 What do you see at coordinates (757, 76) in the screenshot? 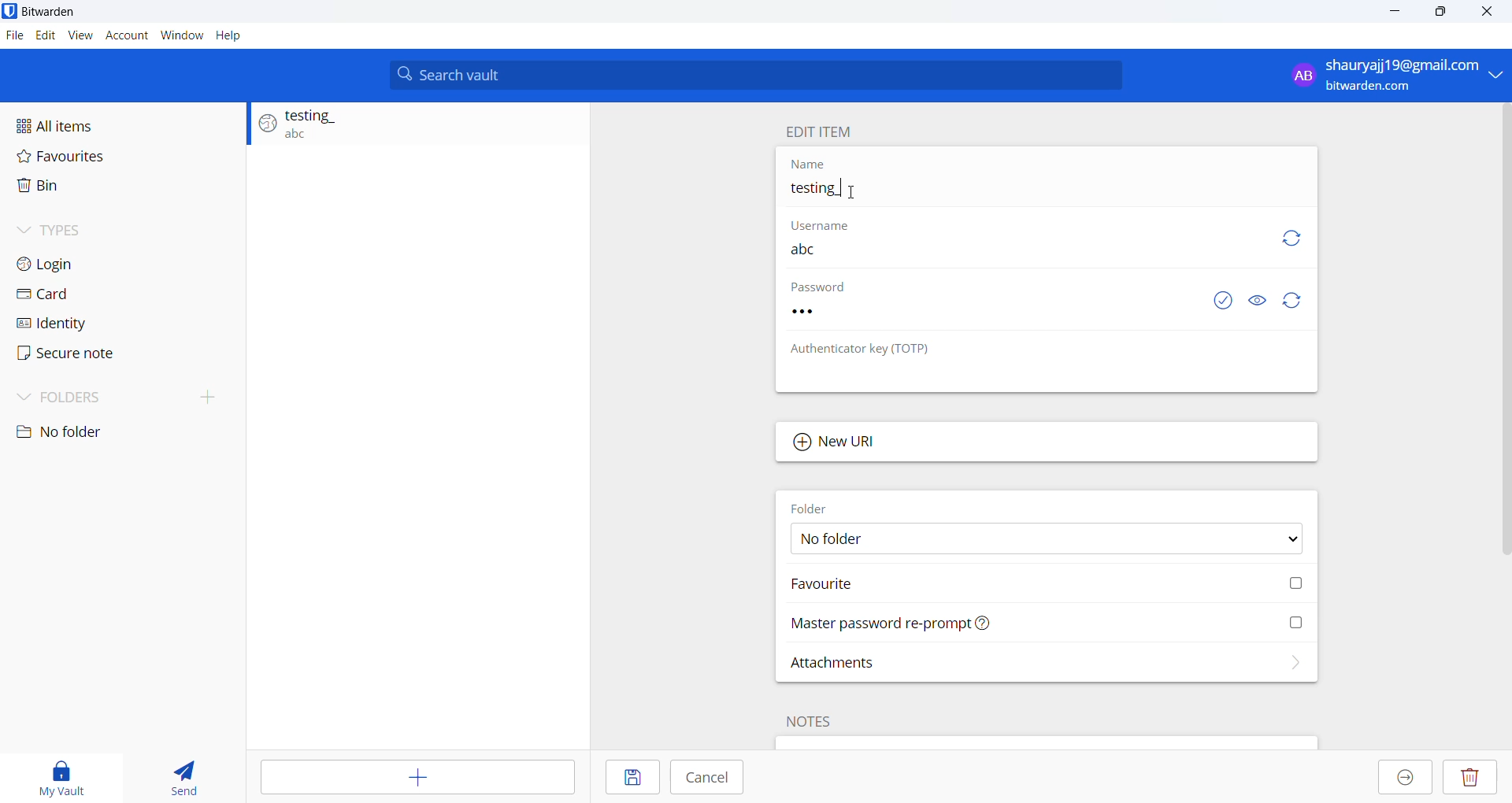
I see `Search bar` at bounding box center [757, 76].